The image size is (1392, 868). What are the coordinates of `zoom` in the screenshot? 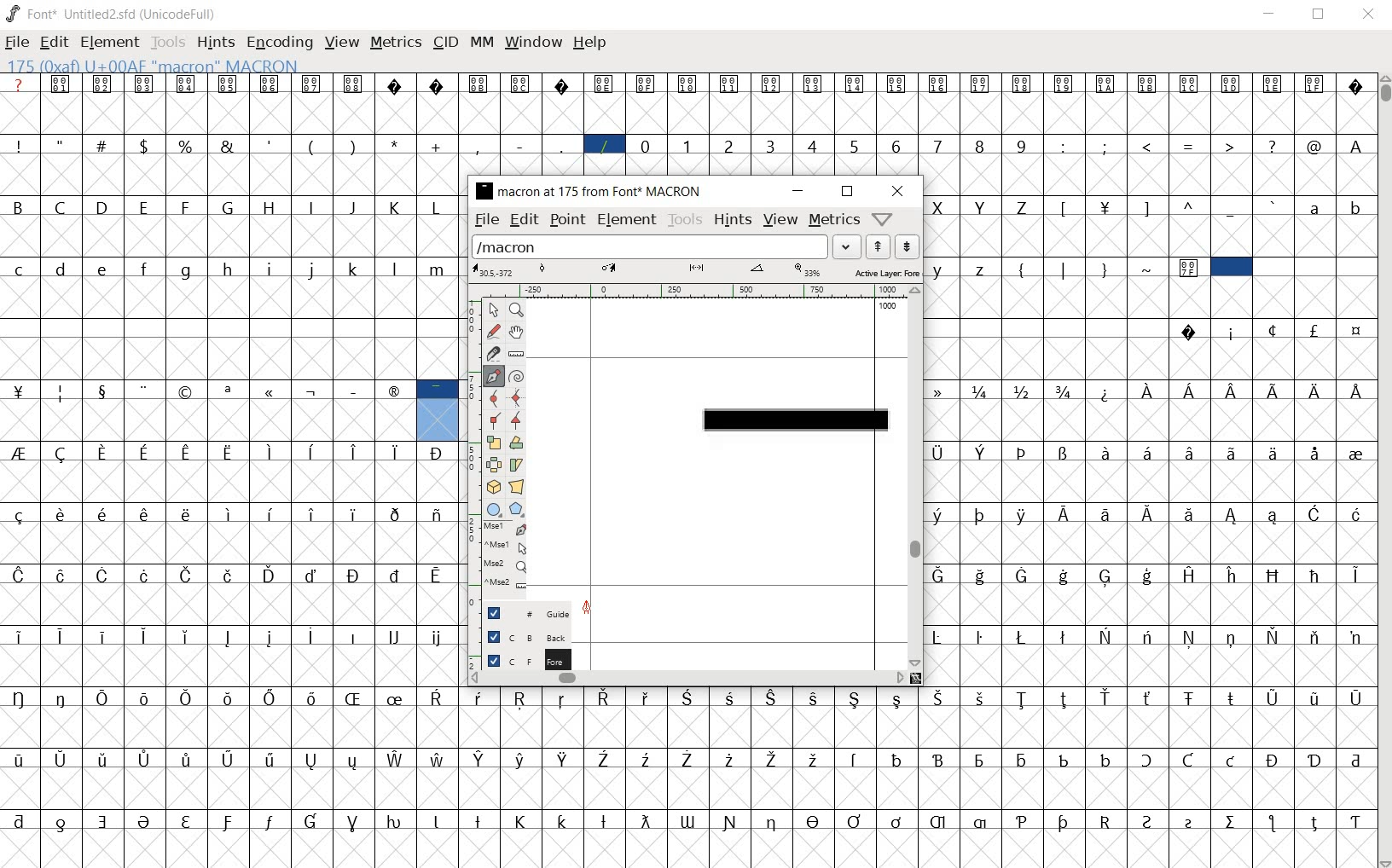 It's located at (518, 309).